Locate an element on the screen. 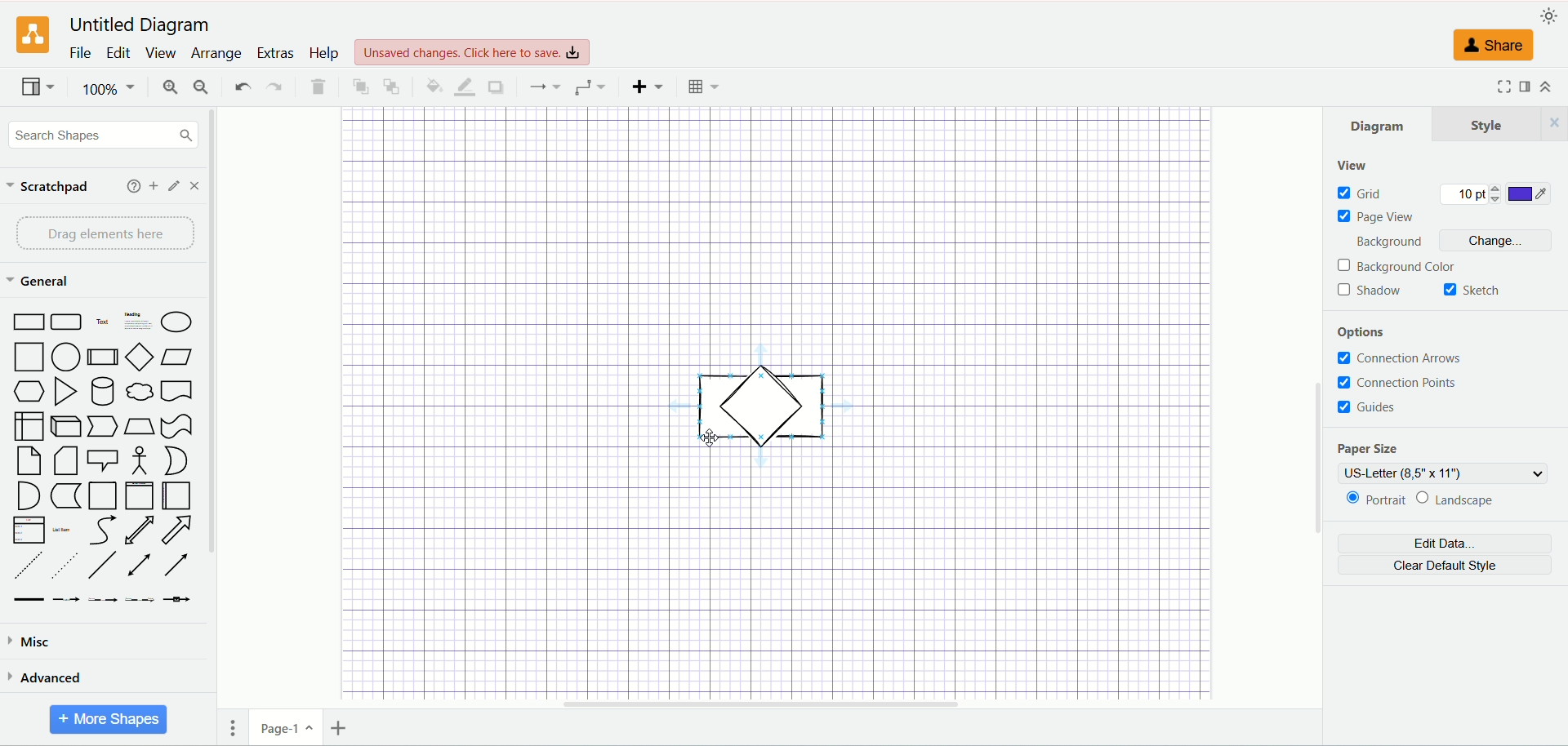 This screenshot has height=746, width=1568. trapeziod is located at coordinates (139, 426).